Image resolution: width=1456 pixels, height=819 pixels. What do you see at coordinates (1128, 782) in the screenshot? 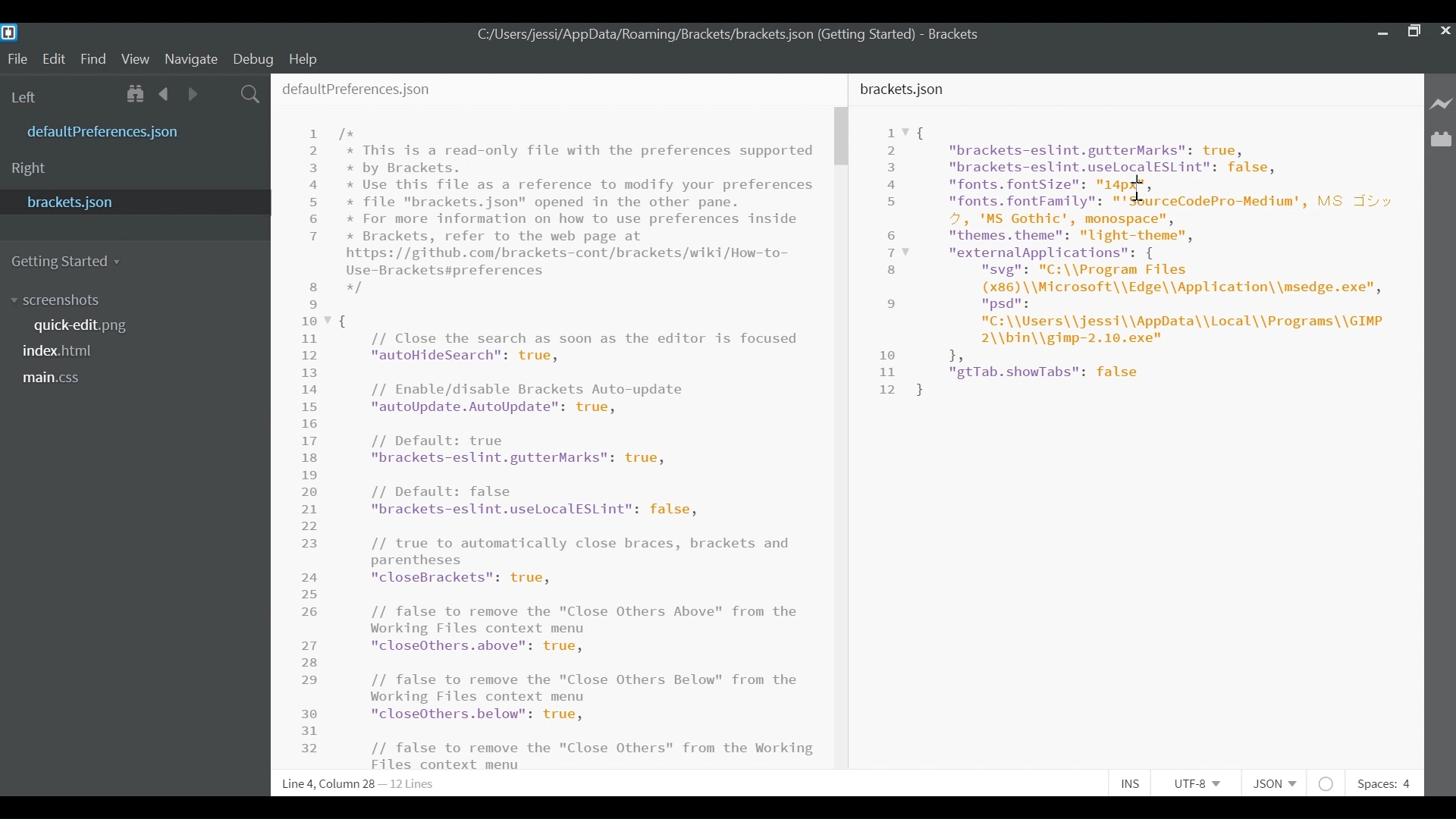
I see `Toggle Insert or Overwrite` at bounding box center [1128, 782].